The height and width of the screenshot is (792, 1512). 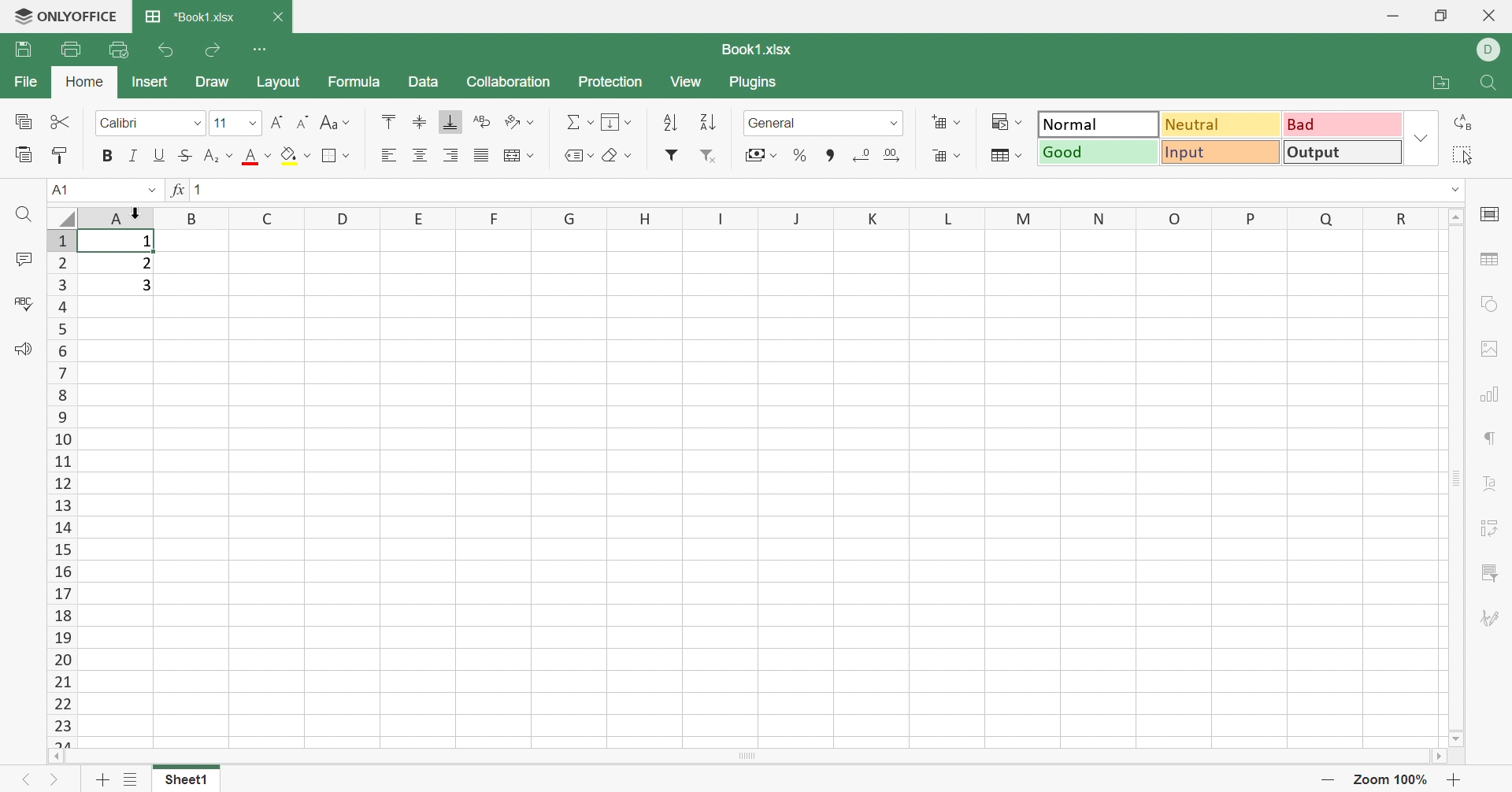 I want to click on Increase decimal, so click(x=891, y=154).